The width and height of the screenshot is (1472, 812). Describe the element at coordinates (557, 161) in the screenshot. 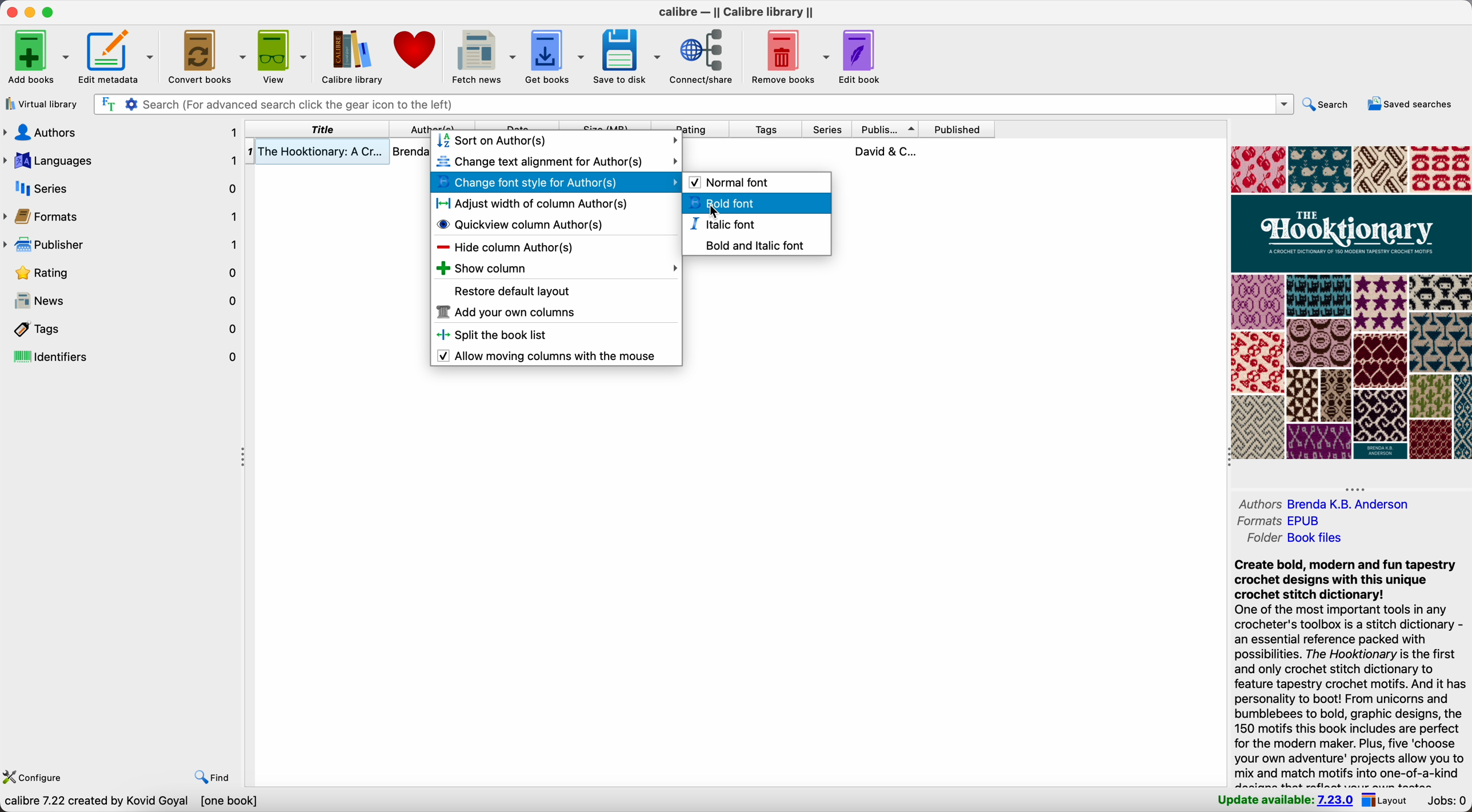

I see `change text alignment for author(s)` at that location.